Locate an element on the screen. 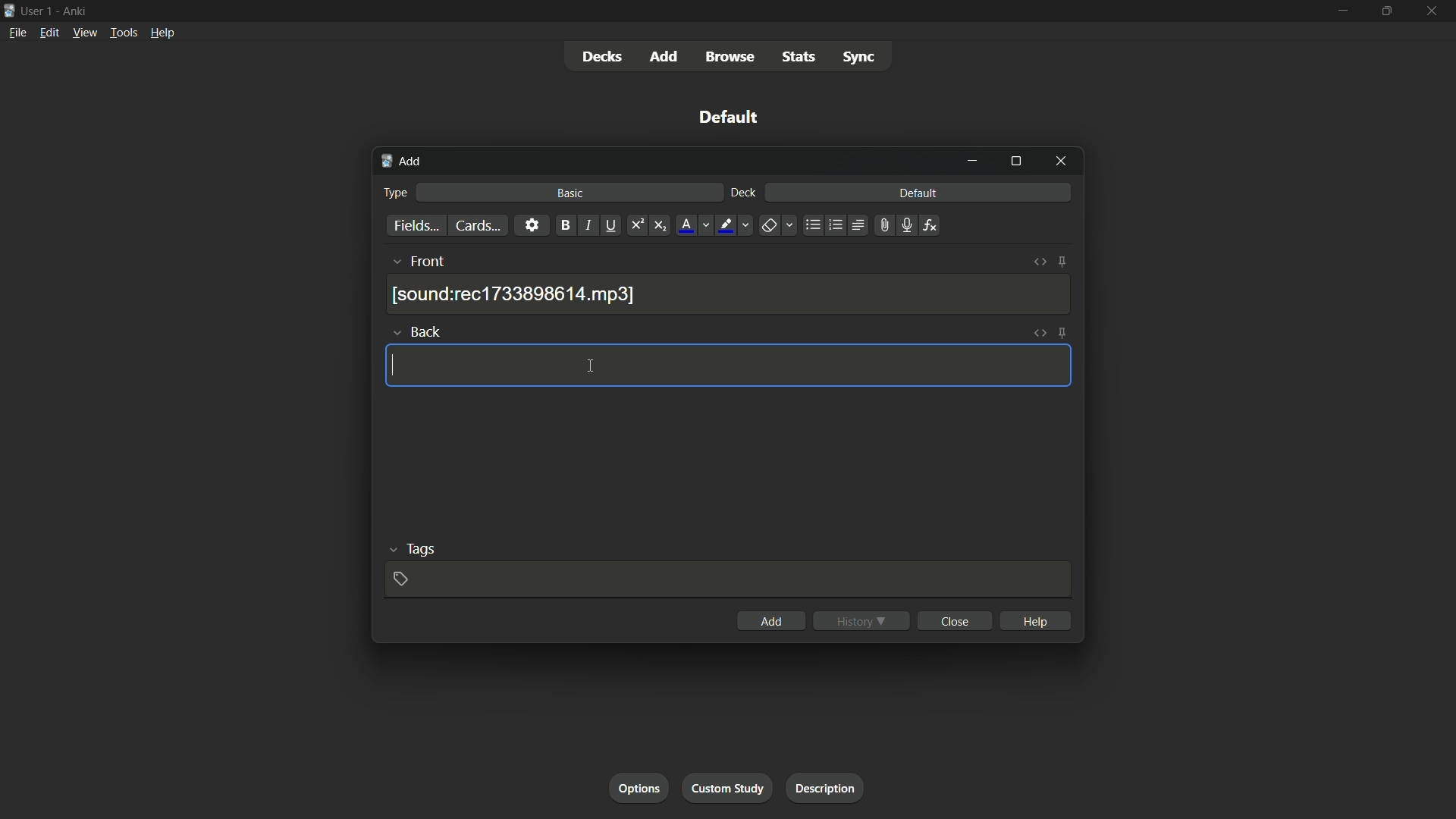  minimize is located at coordinates (974, 161).